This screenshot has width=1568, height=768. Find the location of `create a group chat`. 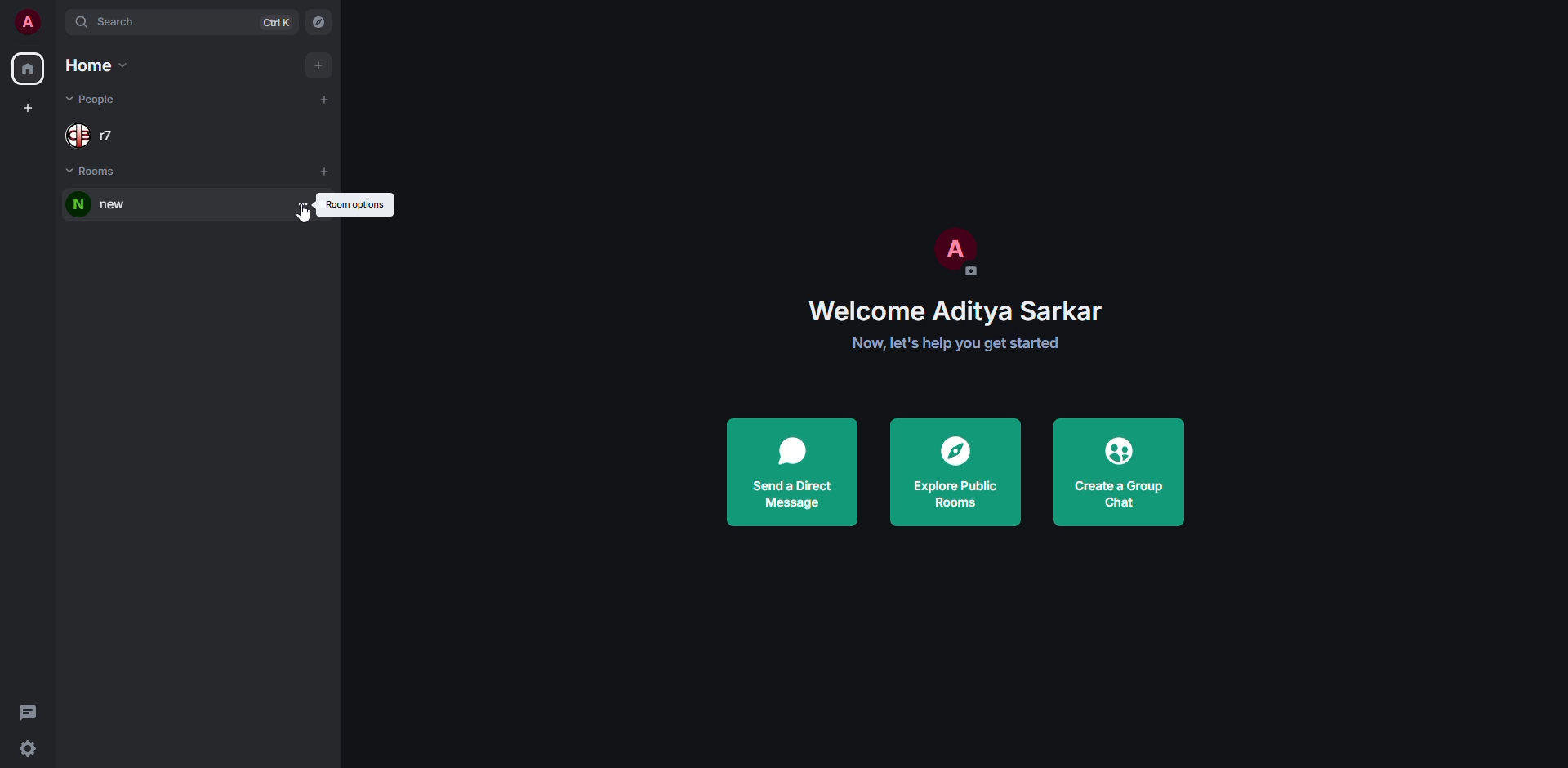

create a group chat is located at coordinates (1120, 470).